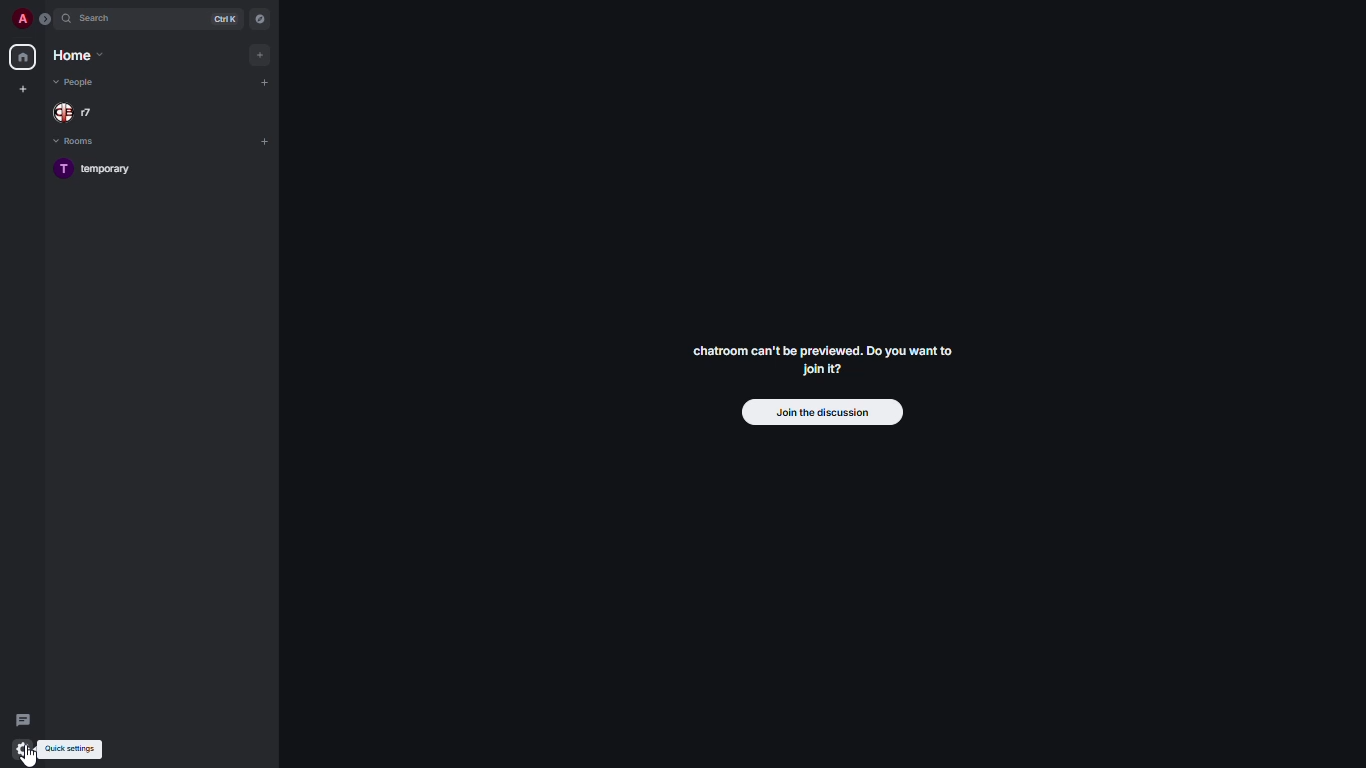 This screenshot has height=768, width=1366. I want to click on add, so click(266, 81).